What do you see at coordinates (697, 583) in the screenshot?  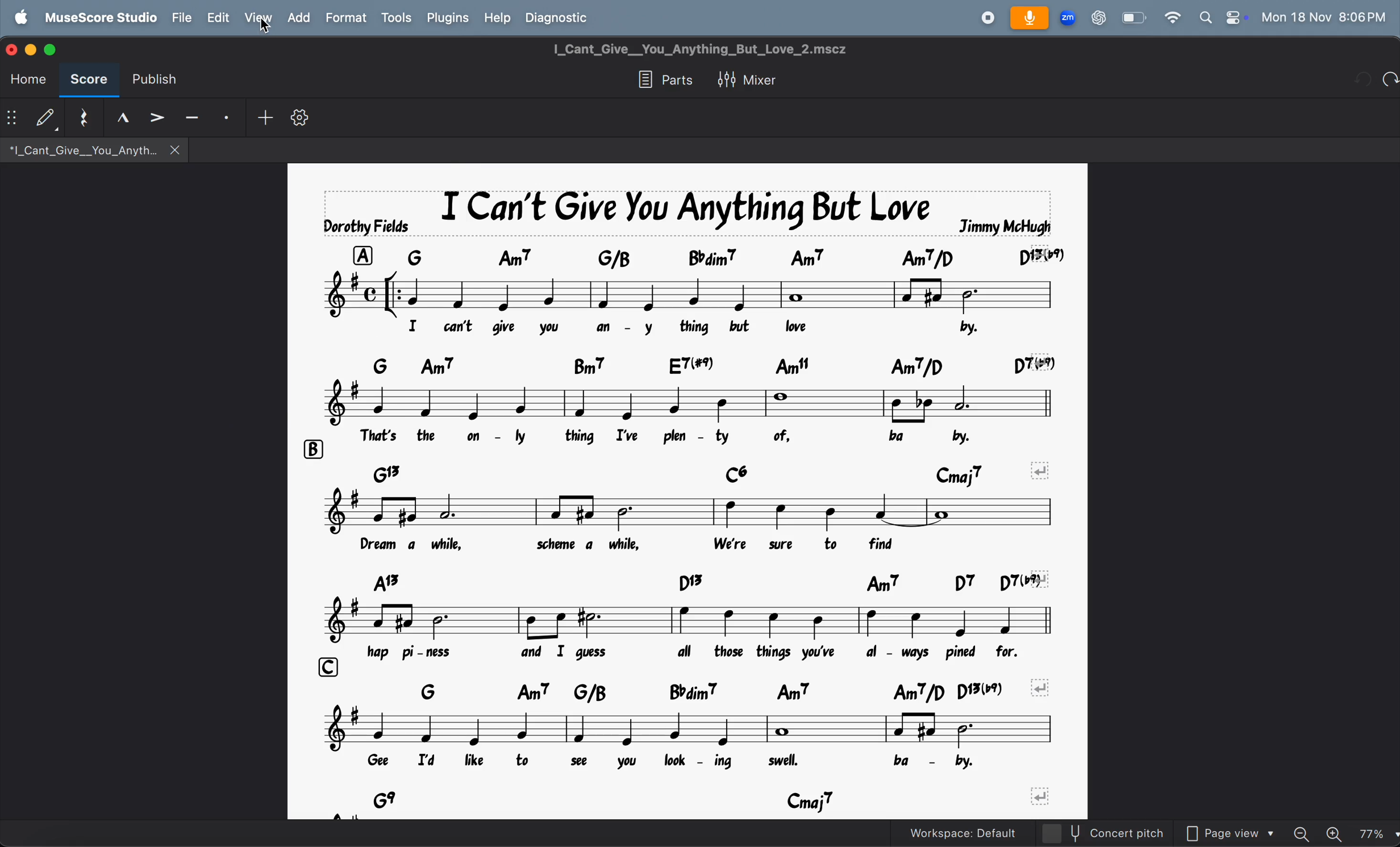 I see `chord symbols` at bounding box center [697, 583].